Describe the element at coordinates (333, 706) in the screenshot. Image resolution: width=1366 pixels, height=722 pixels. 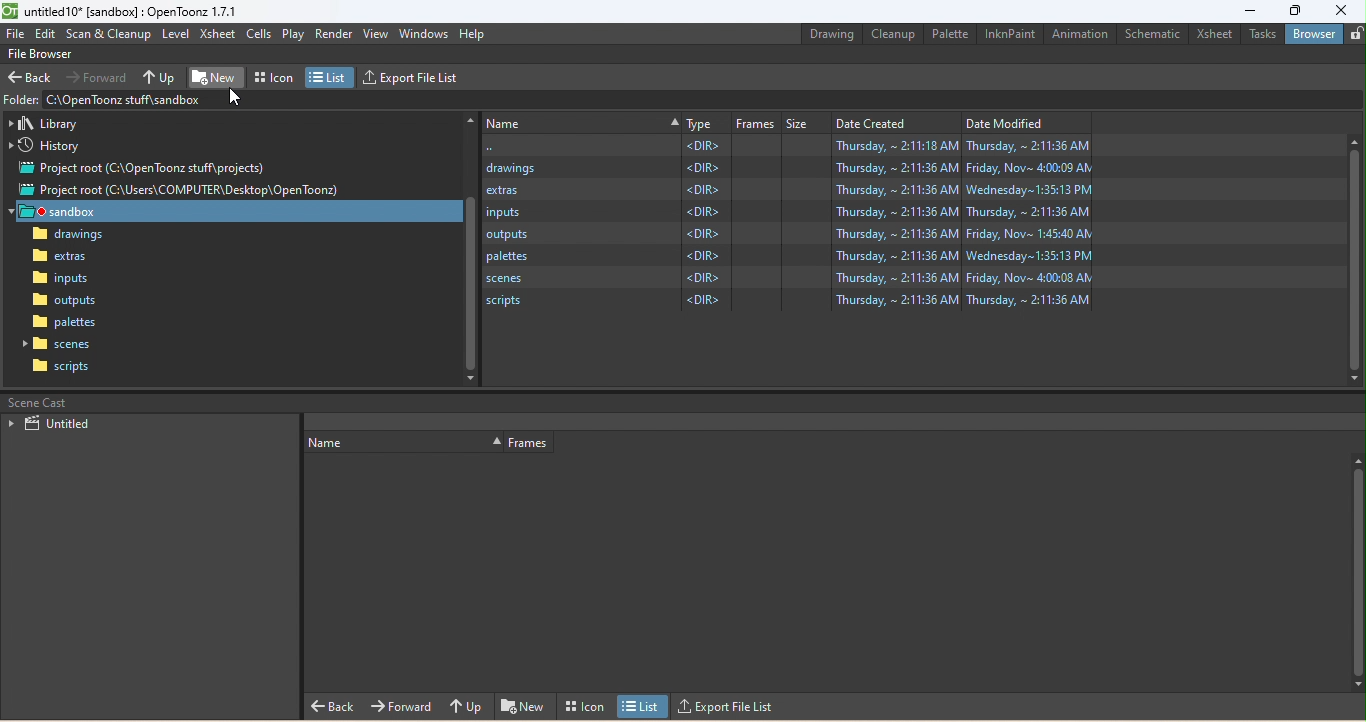
I see `Back` at that location.